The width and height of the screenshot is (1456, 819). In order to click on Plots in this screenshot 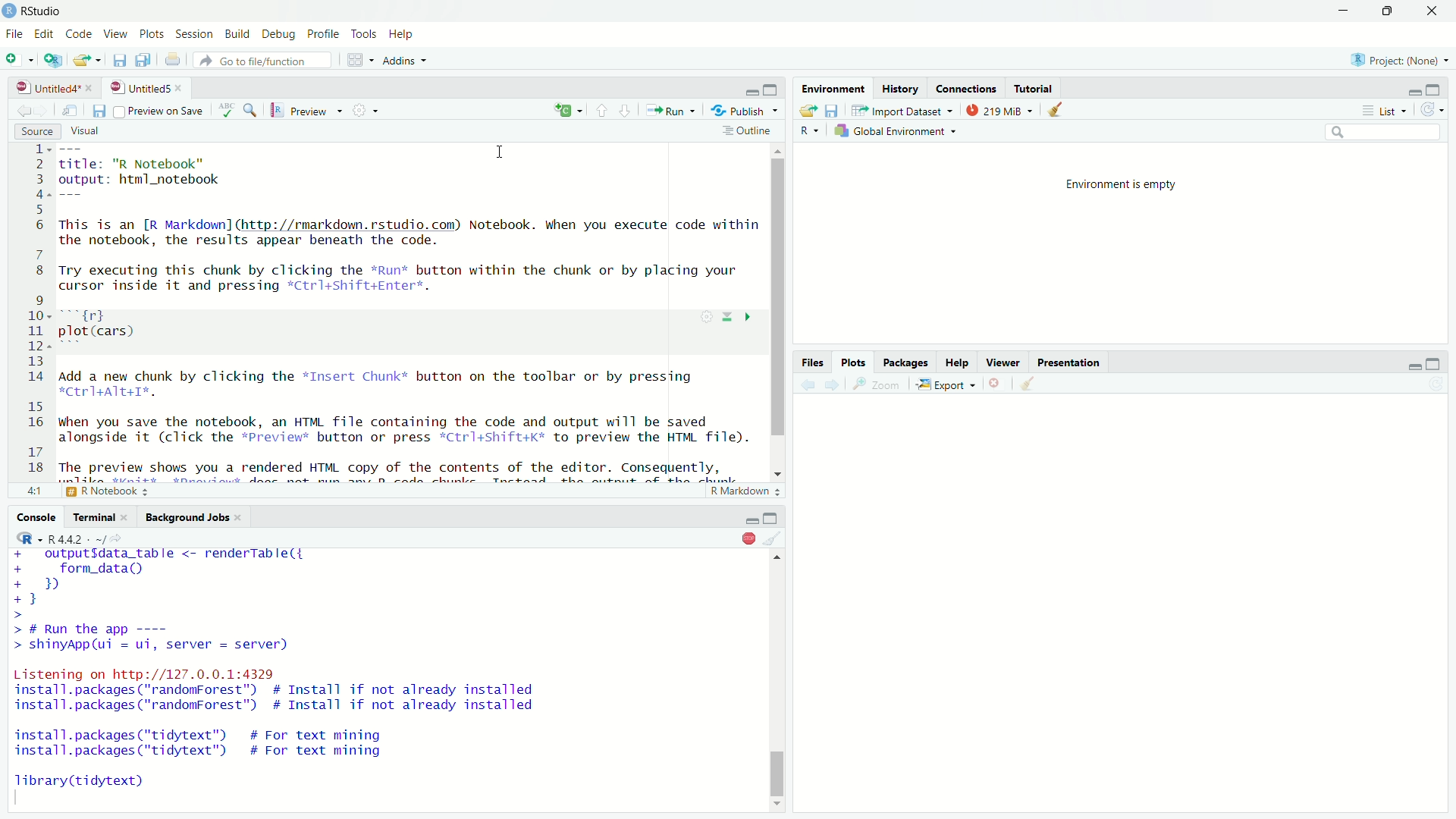, I will do `click(152, 34)`.